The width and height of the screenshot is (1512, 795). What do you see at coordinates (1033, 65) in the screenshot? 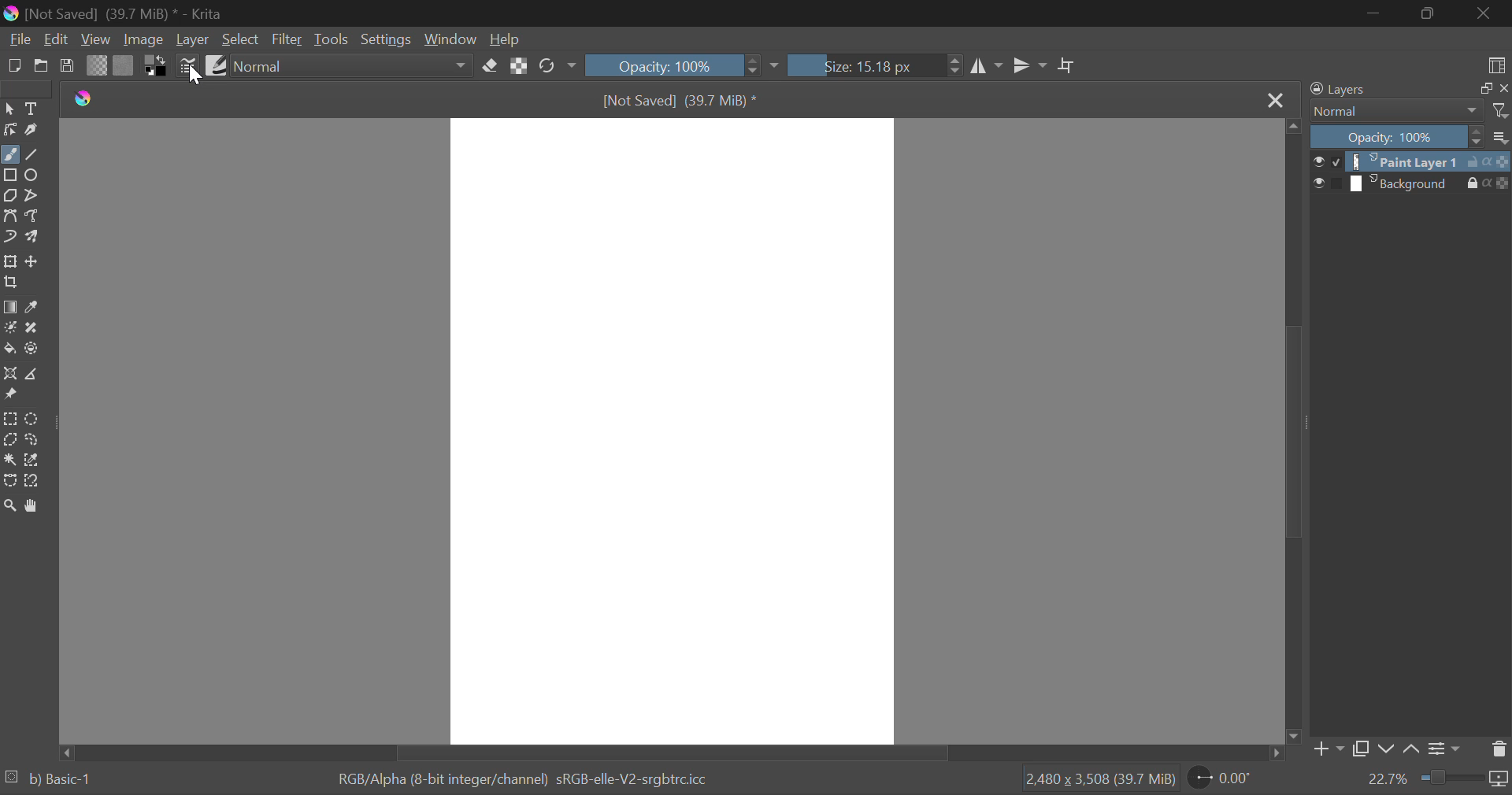
I see `Horizontal Mirror Flip` at bounding box center [1033, 65].